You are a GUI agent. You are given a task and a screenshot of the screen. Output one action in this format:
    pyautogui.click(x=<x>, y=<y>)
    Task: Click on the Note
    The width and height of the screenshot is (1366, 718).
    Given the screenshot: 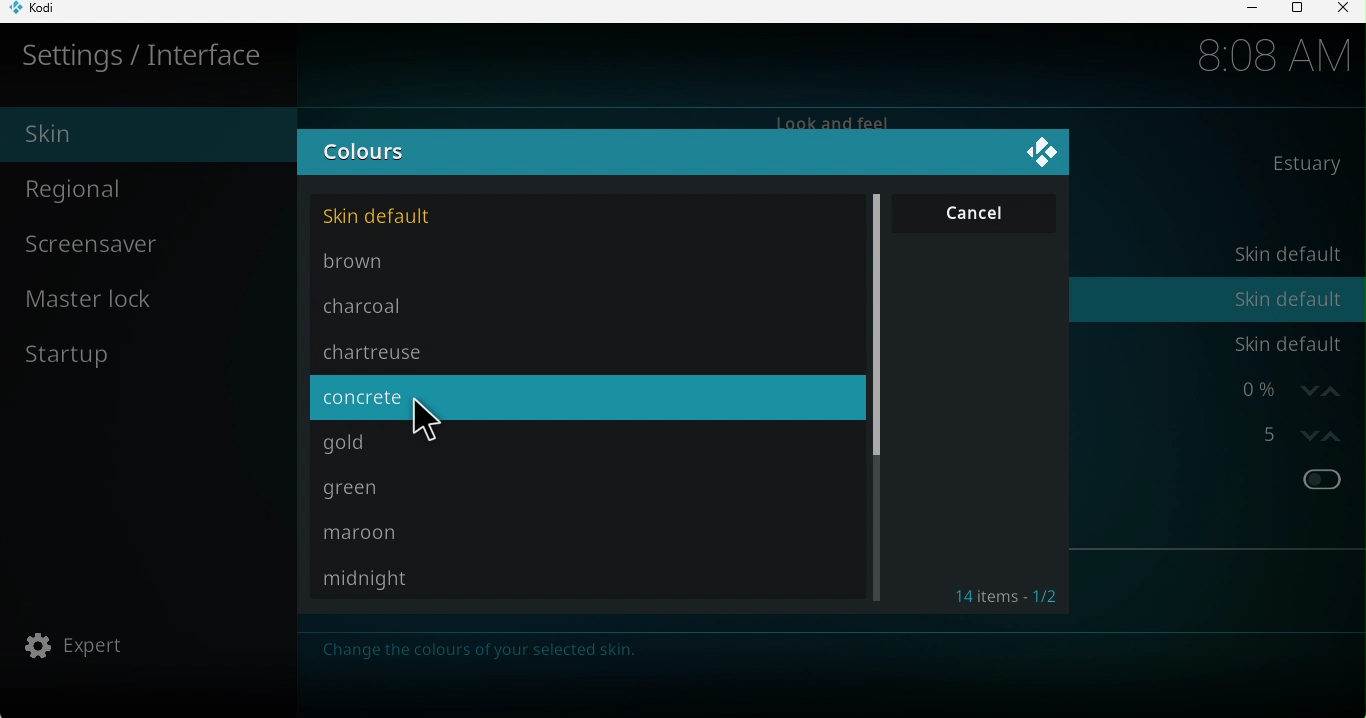 What is the action you would take?
    pyautogui.click(x=503, y=651)
    